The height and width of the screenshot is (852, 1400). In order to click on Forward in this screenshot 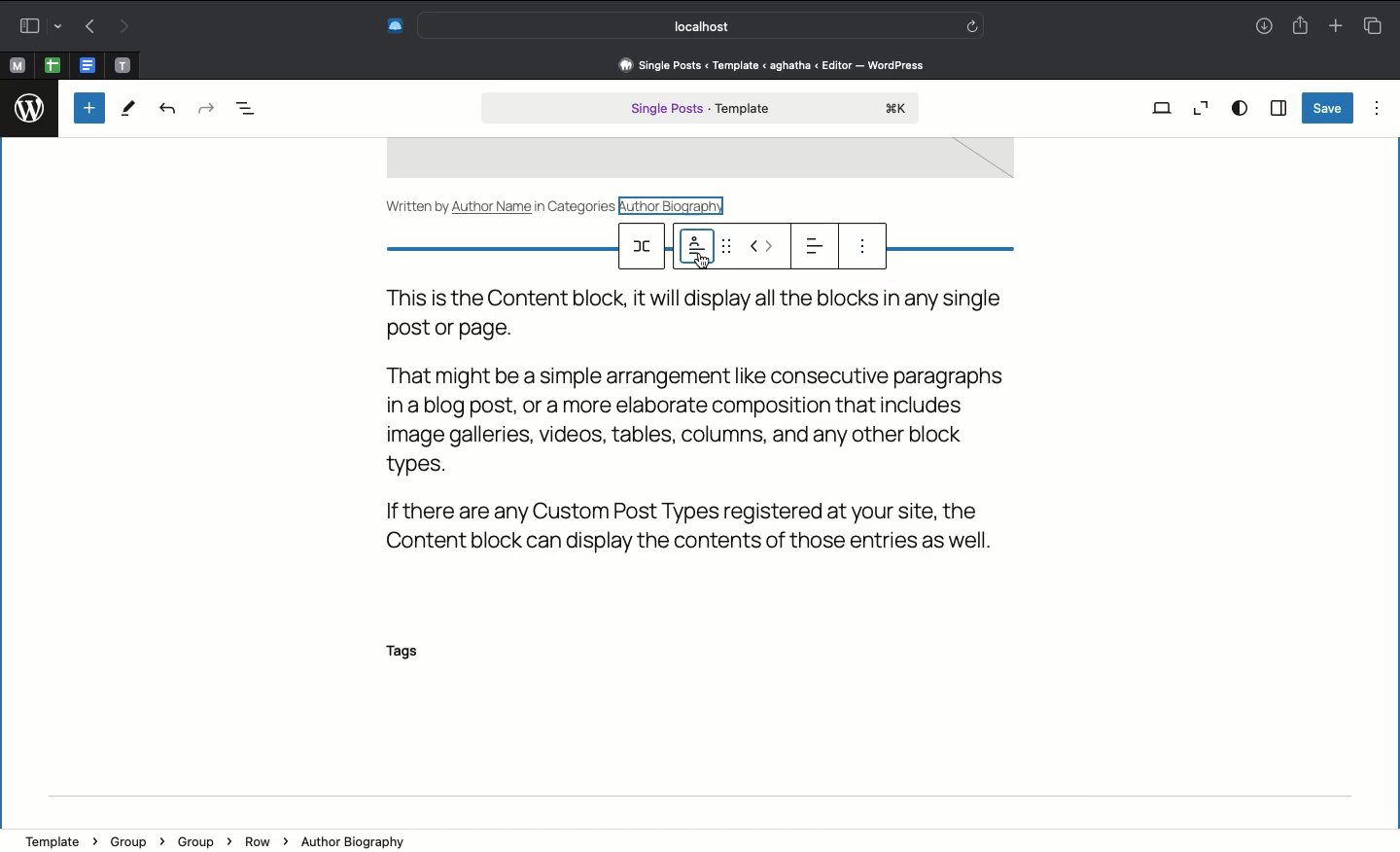, I will do `click(125, 27)`.